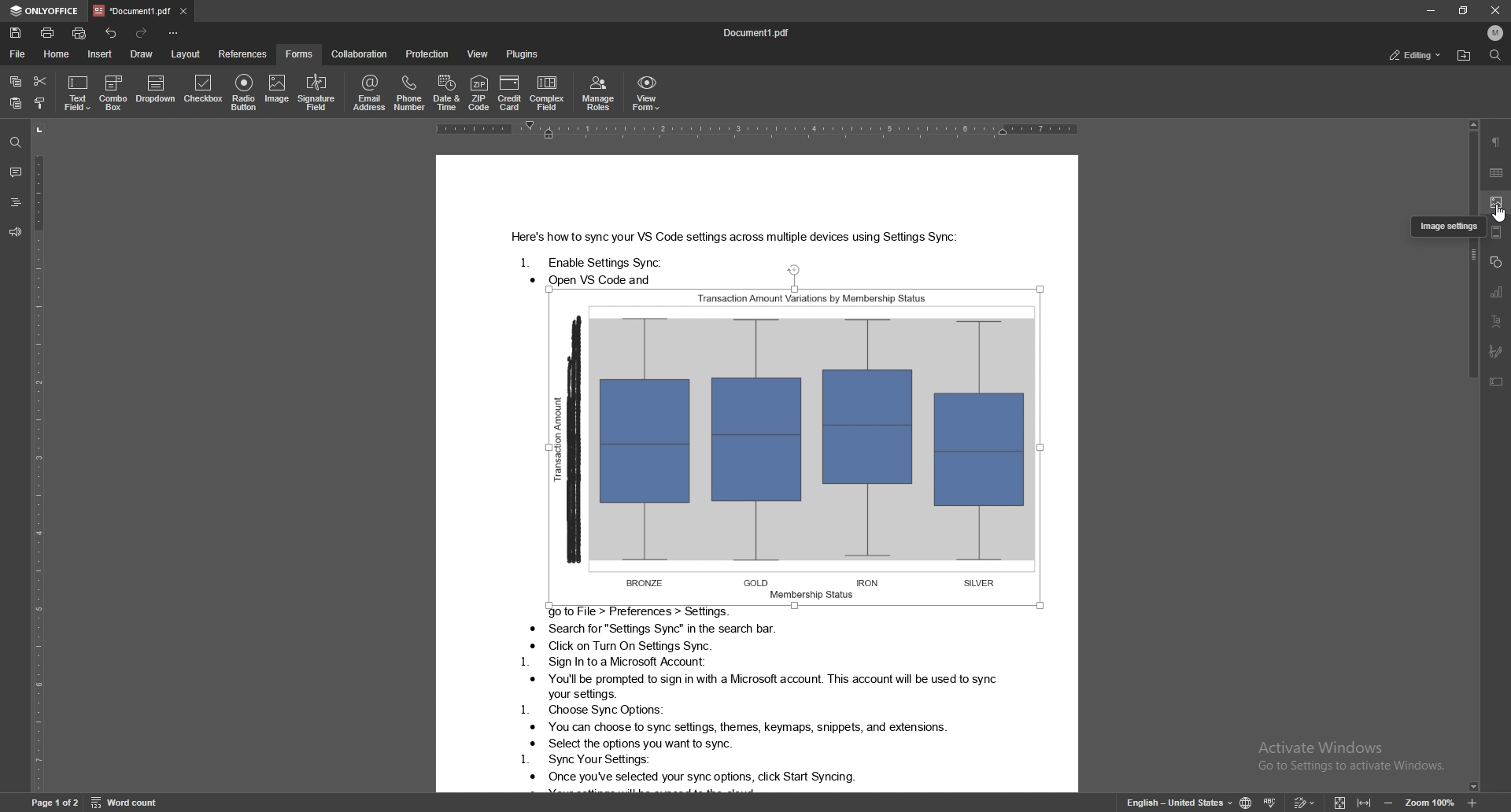 The height and width of the screenshot is (812, 1511). I want to click on header and footer, so click(1498, 234).